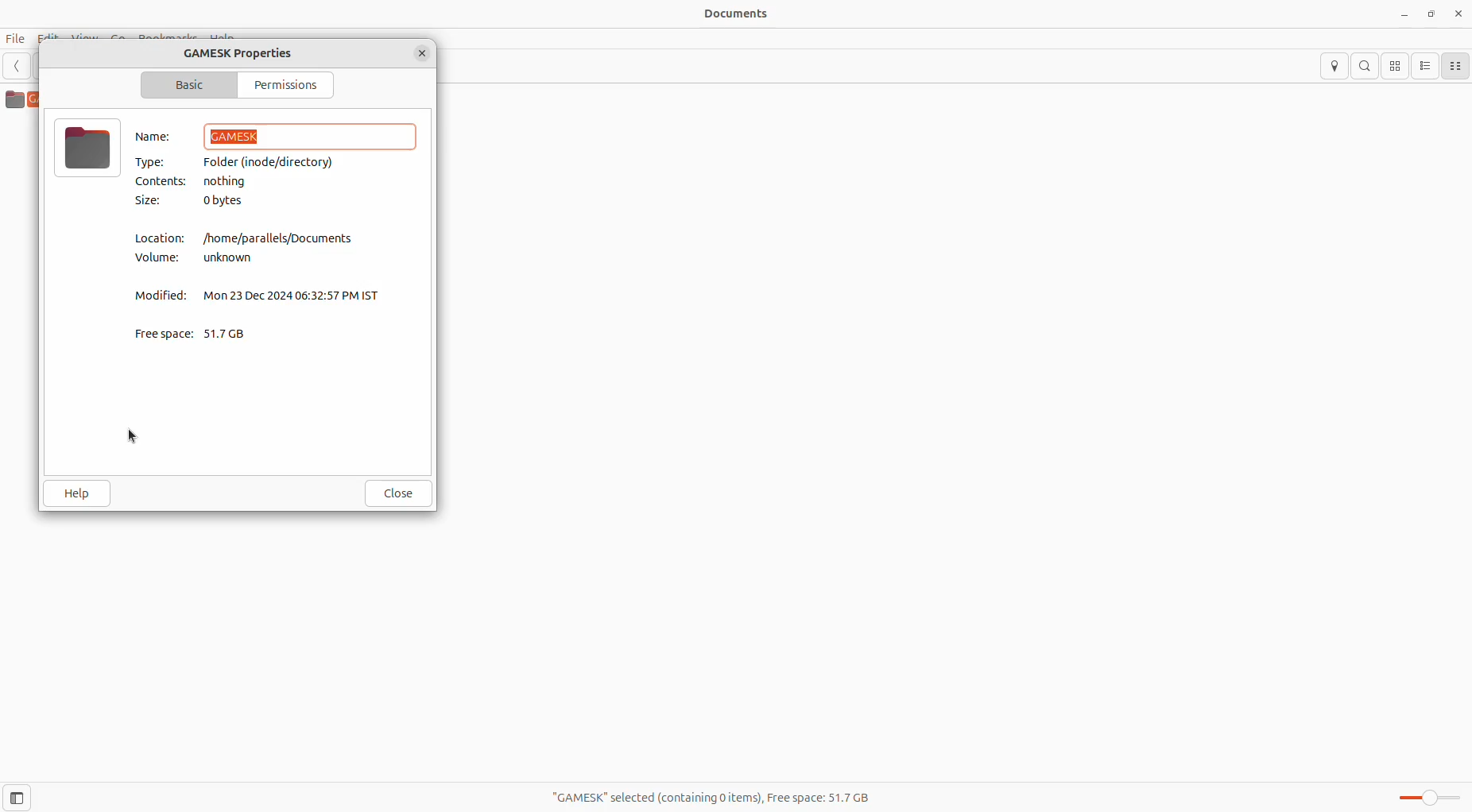 The height and width of the screenshot is (812, 1472). Describe the element at coordinates (296, 296) in the screenshot. I see `Mon 23 Dec 2024 06:32:57 PM IST` at that location.